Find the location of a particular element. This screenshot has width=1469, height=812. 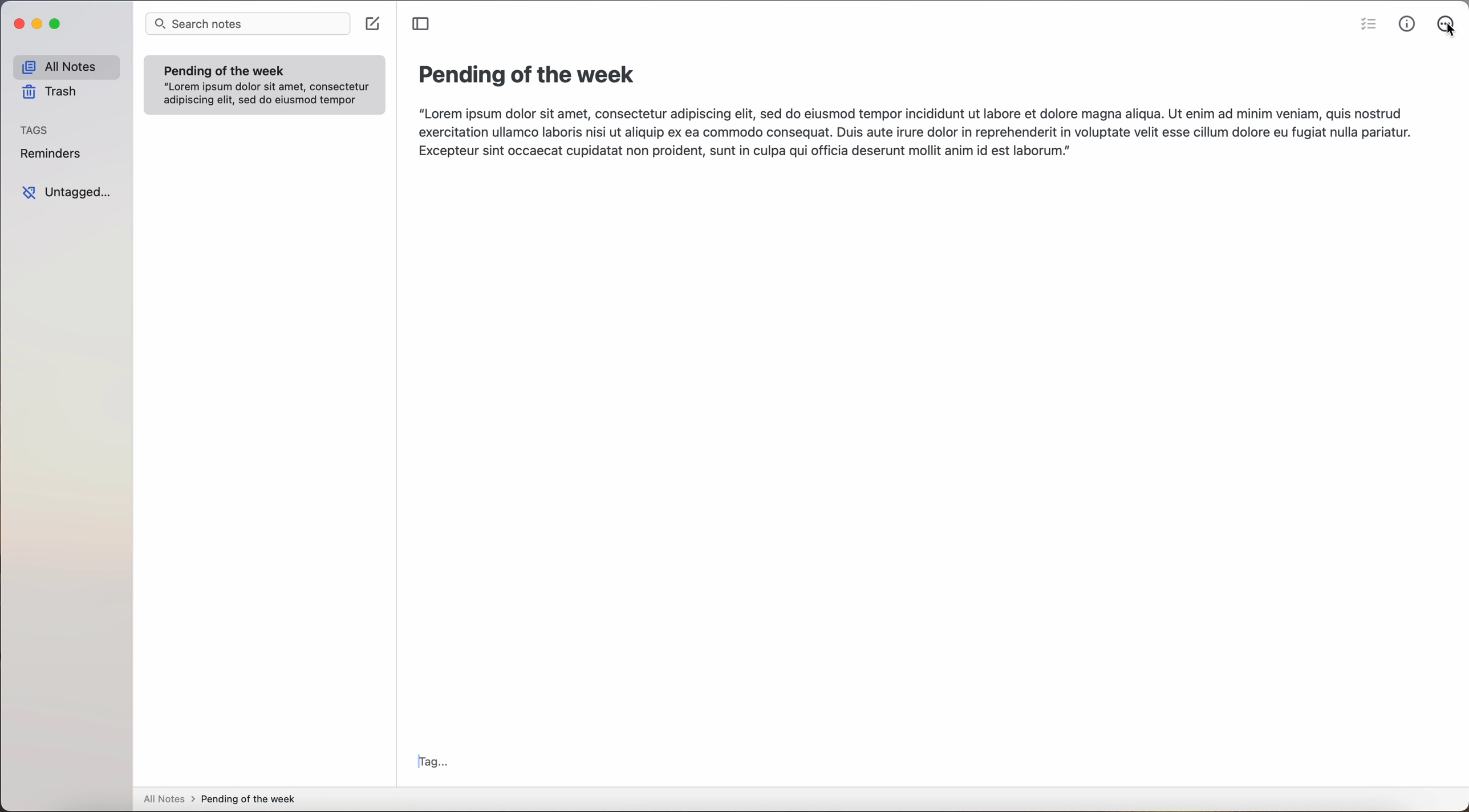

all notes > Pending of the week is located at coordinates (223, 801).